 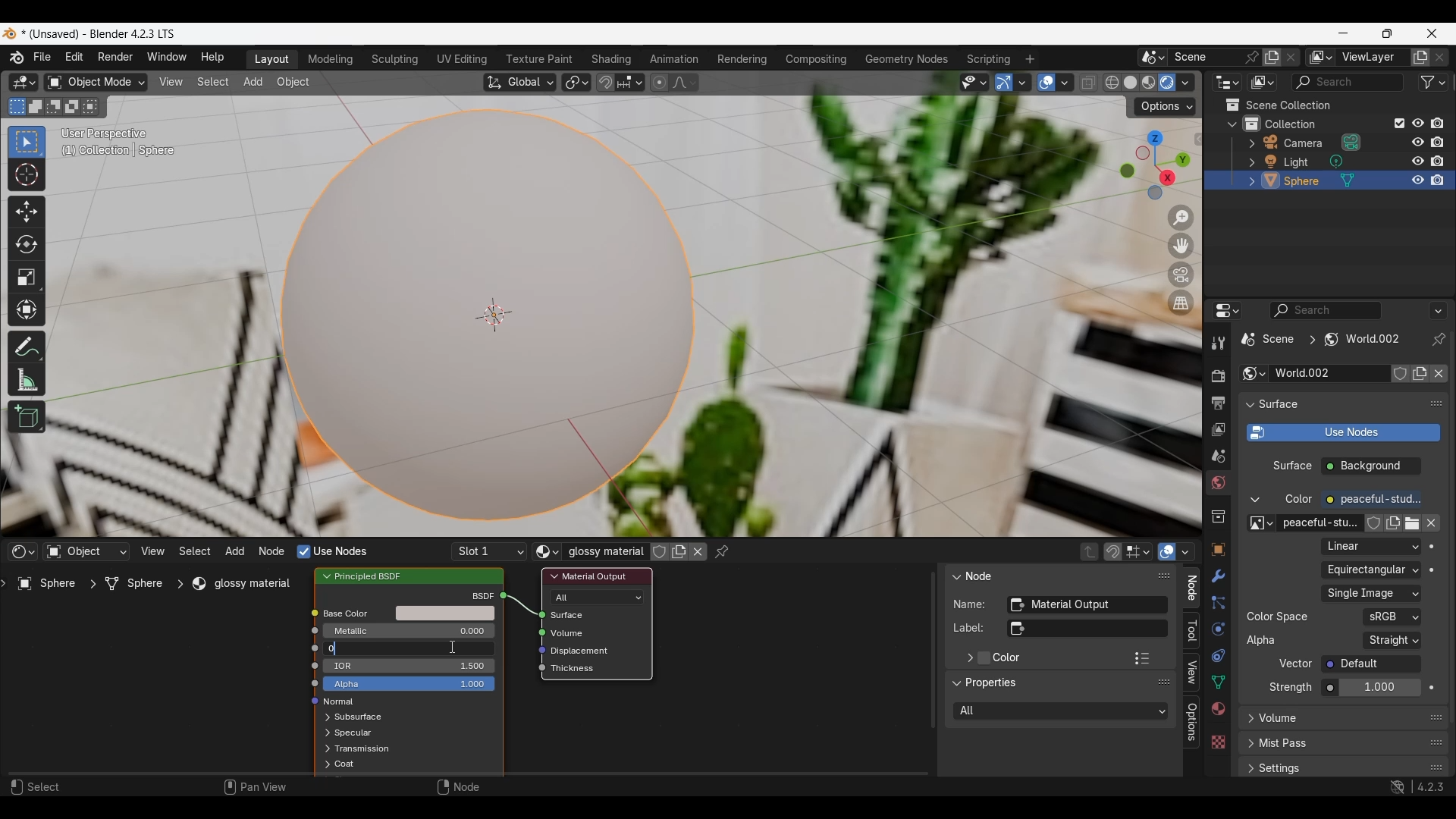 I want to click on Toggle x-ray, so click(x=1089, y=82).